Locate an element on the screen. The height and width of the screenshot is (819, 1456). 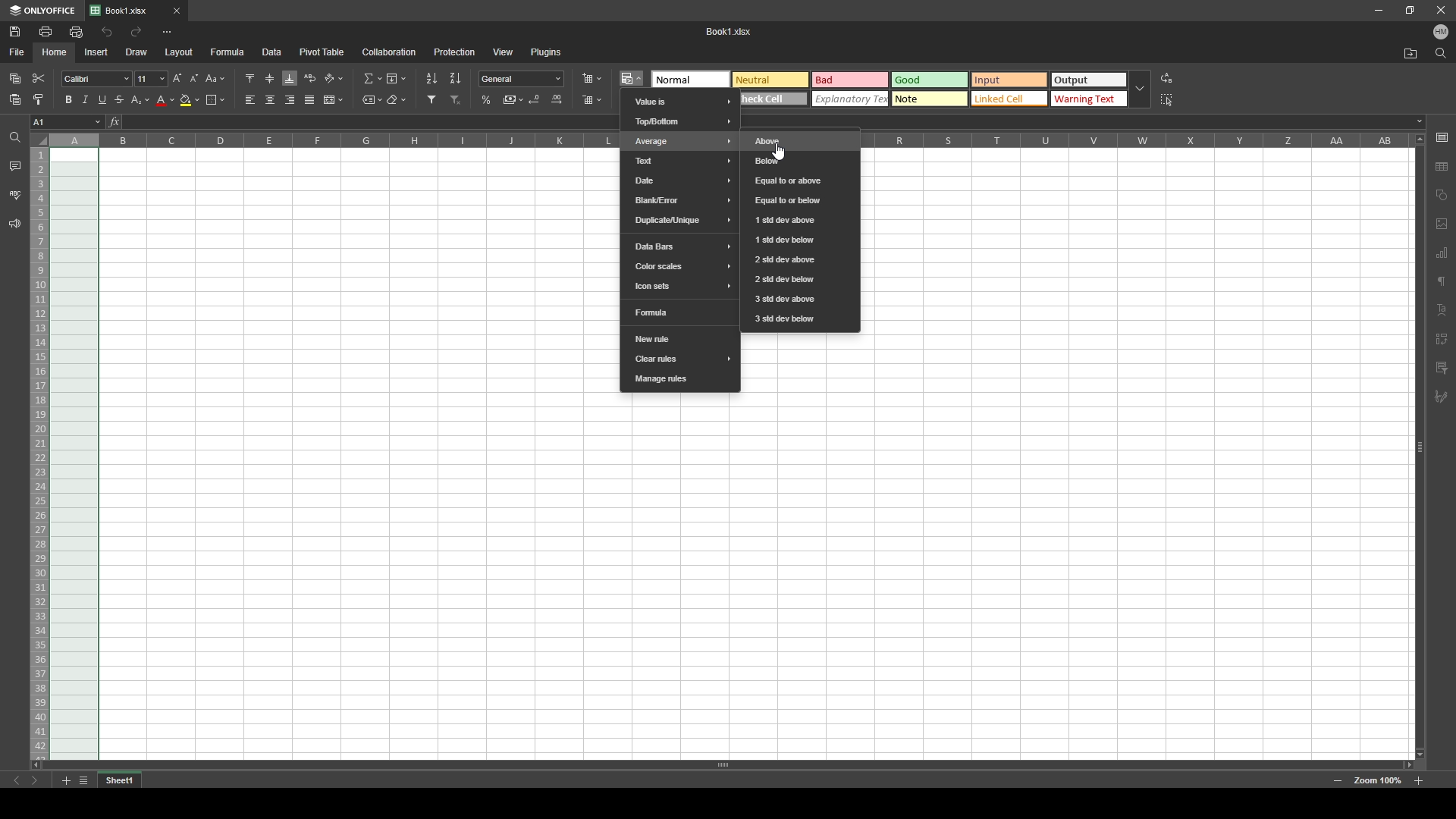
clear rules is located at coordinates (681, 360).